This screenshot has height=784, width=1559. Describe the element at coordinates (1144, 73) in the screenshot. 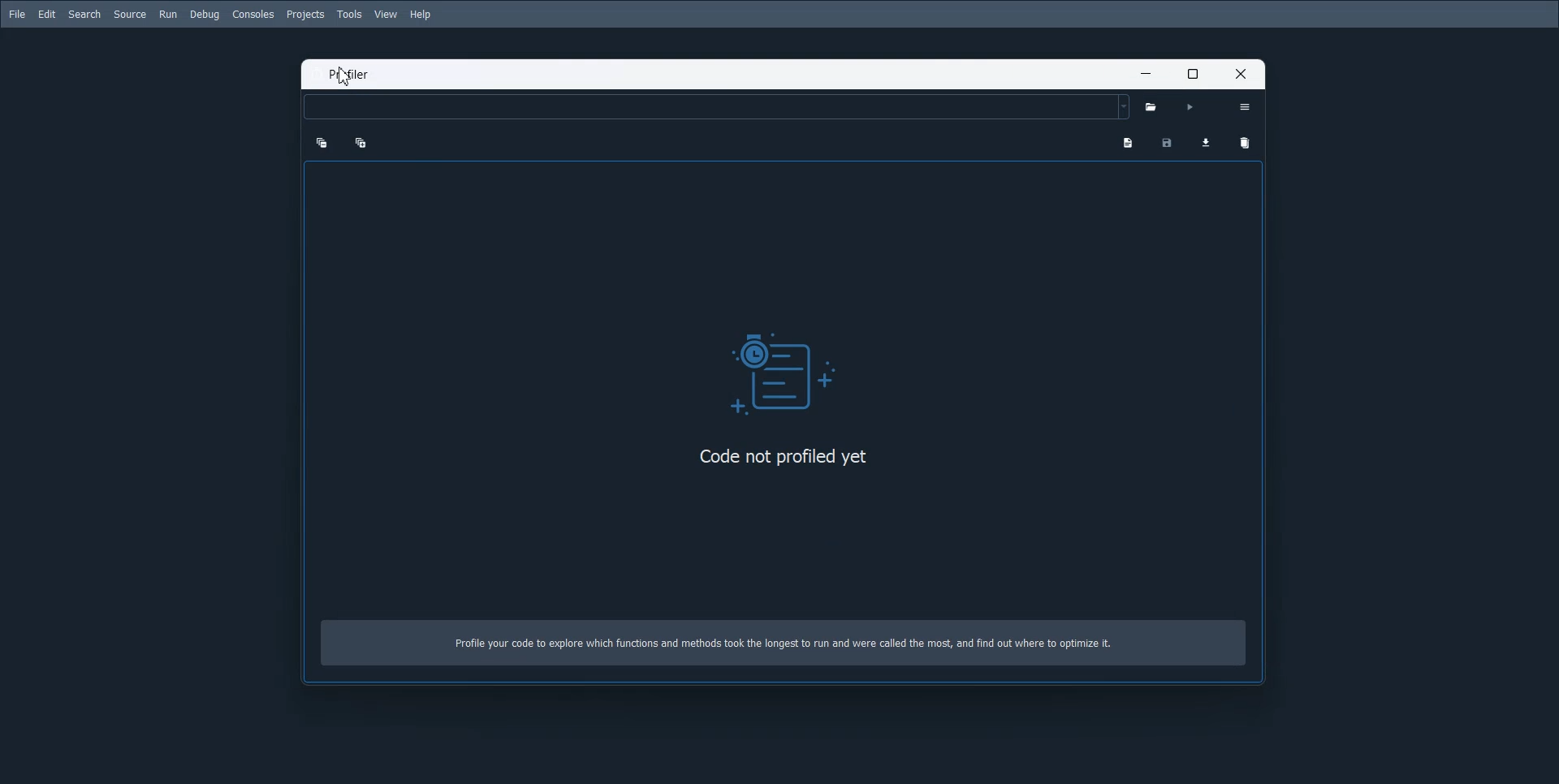

I see ` Minimize` at that location.